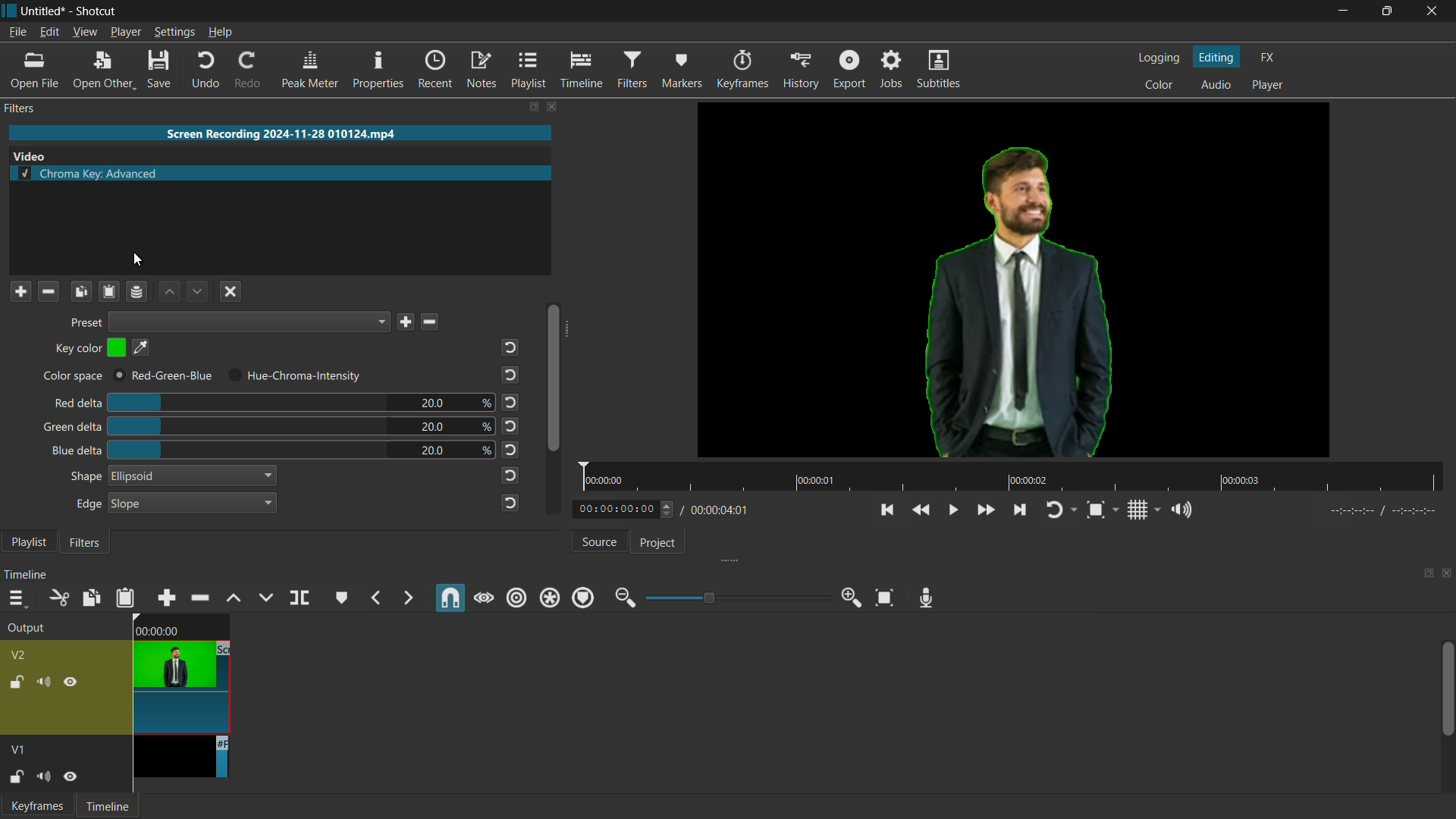 The image size is (1456, 819). I want to click on scroll bar, so click(545, 306).